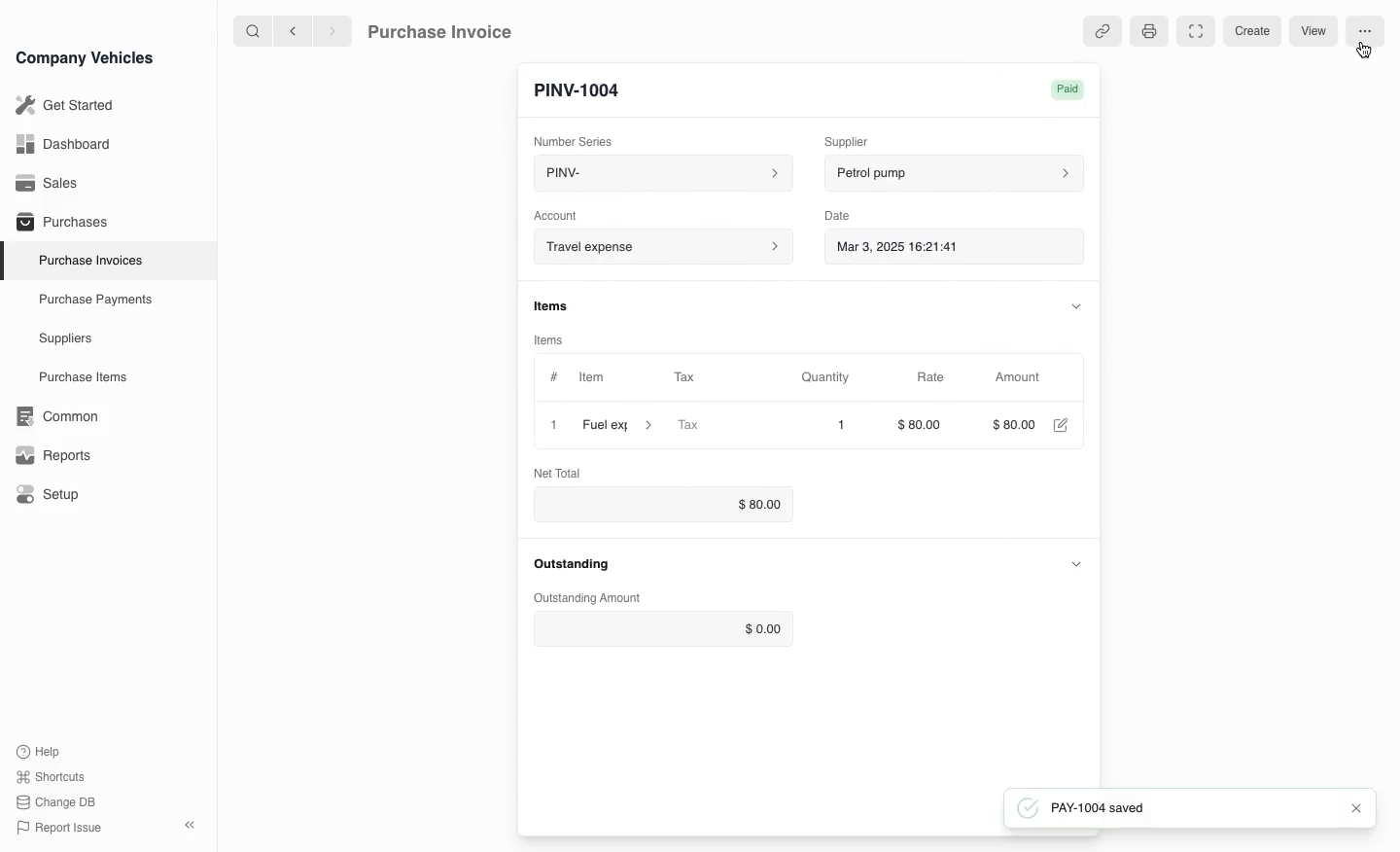 The width and height of the screenshot is (1400, 852). What do you see at coordinates (93, 300) in the screenshot?
I see `Purchase Payments` at bounding box center [93, 300].